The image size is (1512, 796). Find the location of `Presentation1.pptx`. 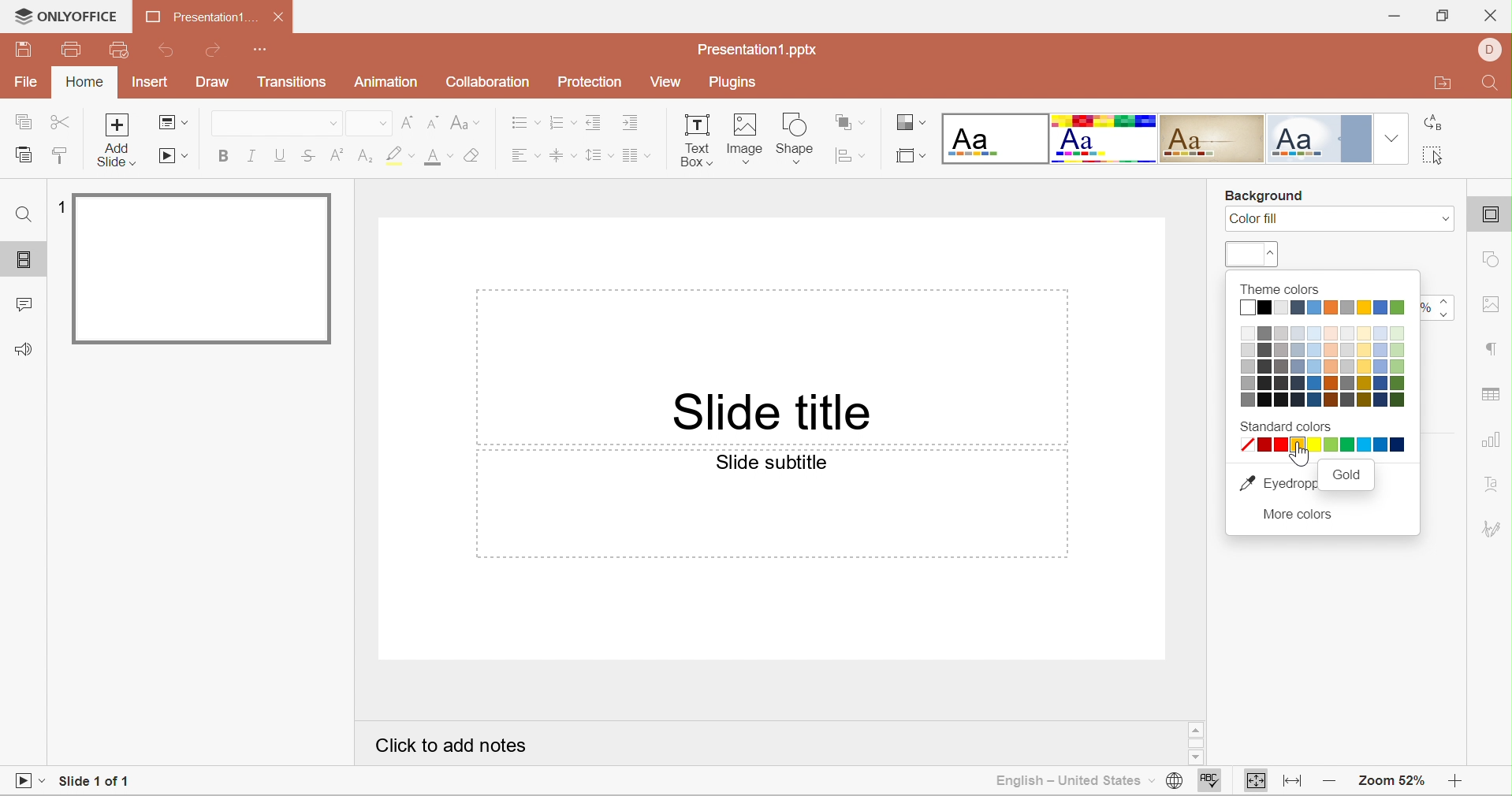

Presentation1.pptx is located at coordinates (758, 49).